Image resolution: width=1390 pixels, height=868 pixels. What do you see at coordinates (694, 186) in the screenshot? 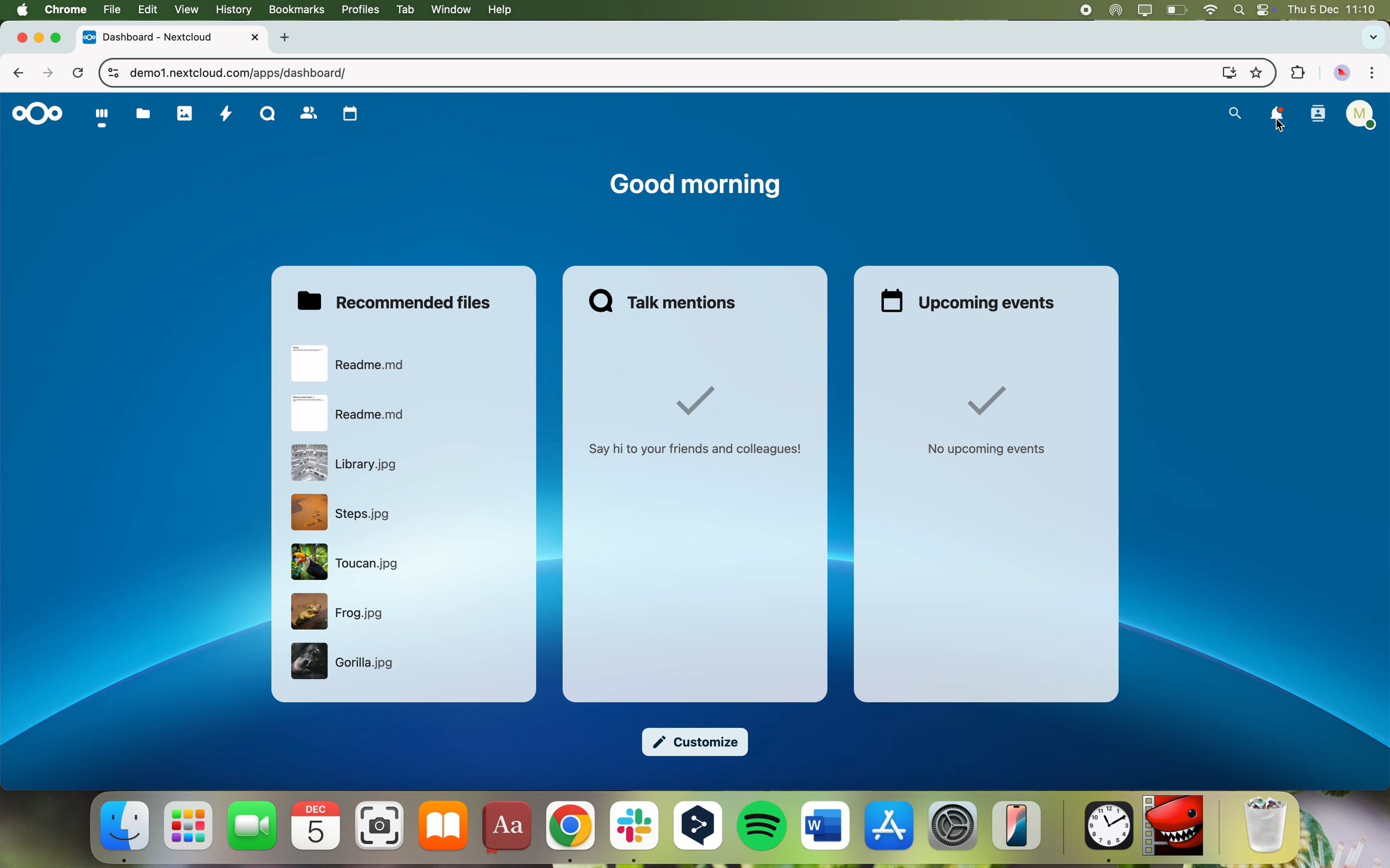
I see `good morning` at bounding box center [694, 186].